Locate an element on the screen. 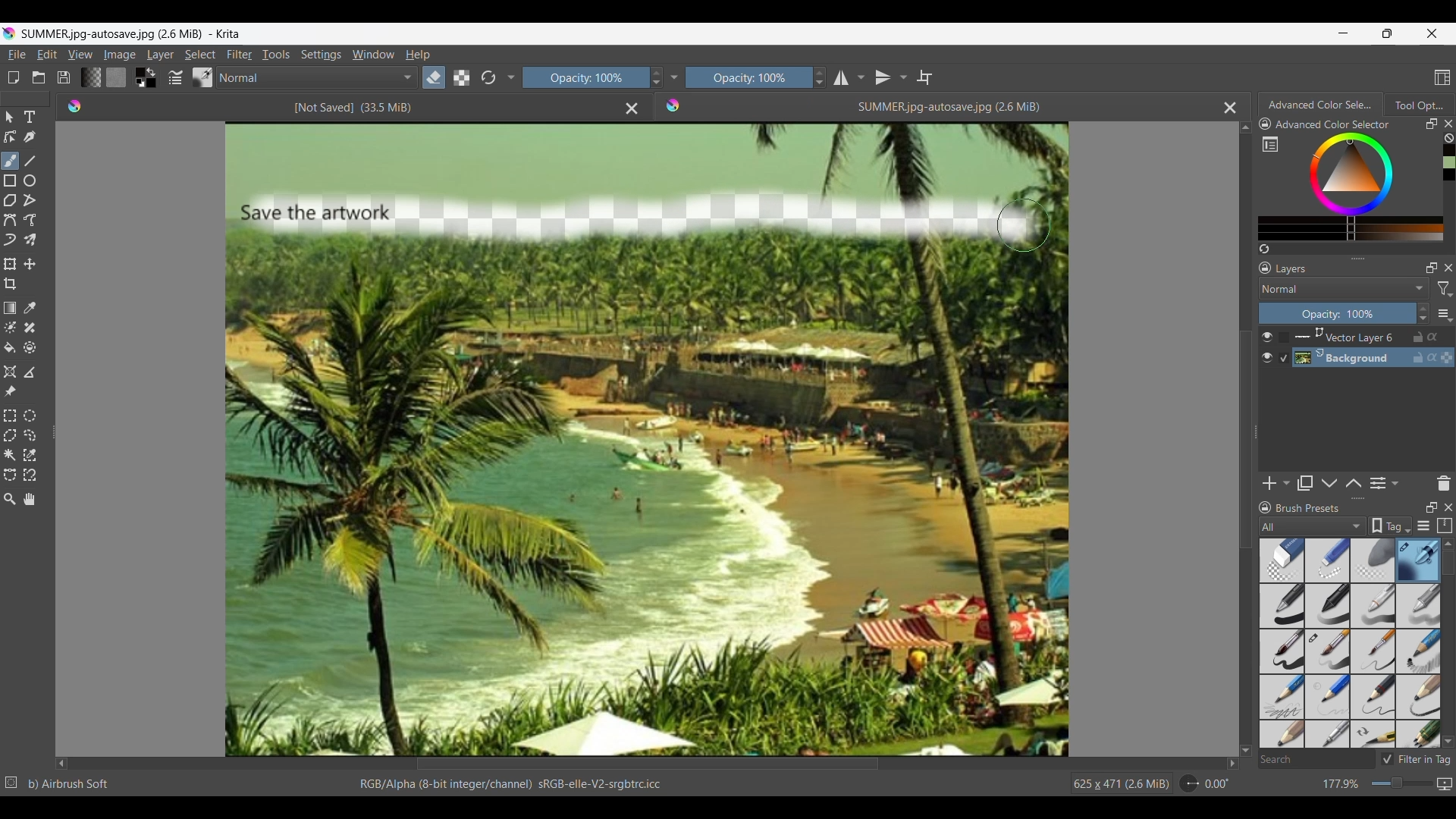  Advanced color Selector is located at coordinates (1322, 102).